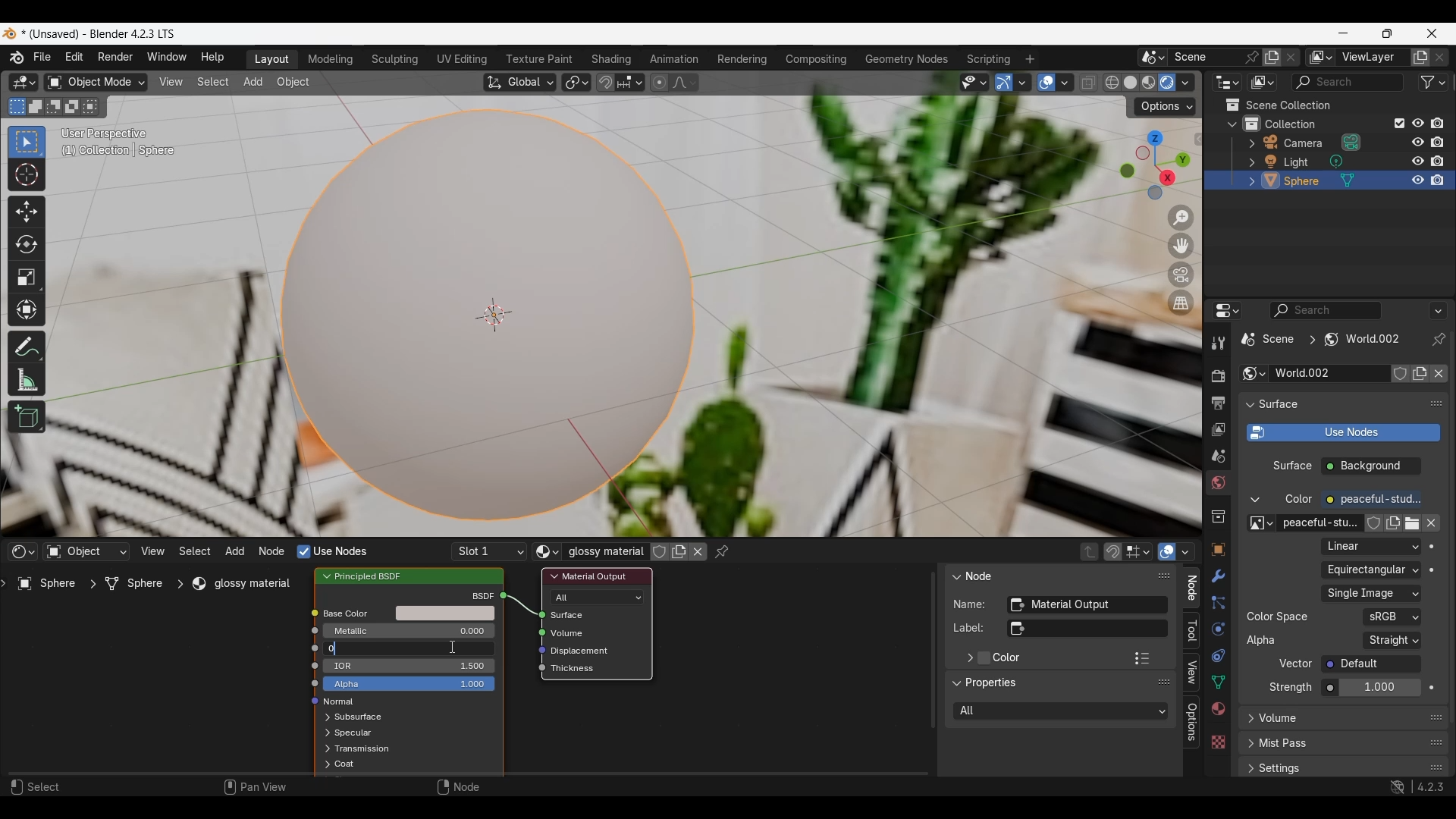 The image size is (1456, 819). Describe the element at coordinates (1181, 218) in the screenshot. I see `Zoom in/out` at that location.